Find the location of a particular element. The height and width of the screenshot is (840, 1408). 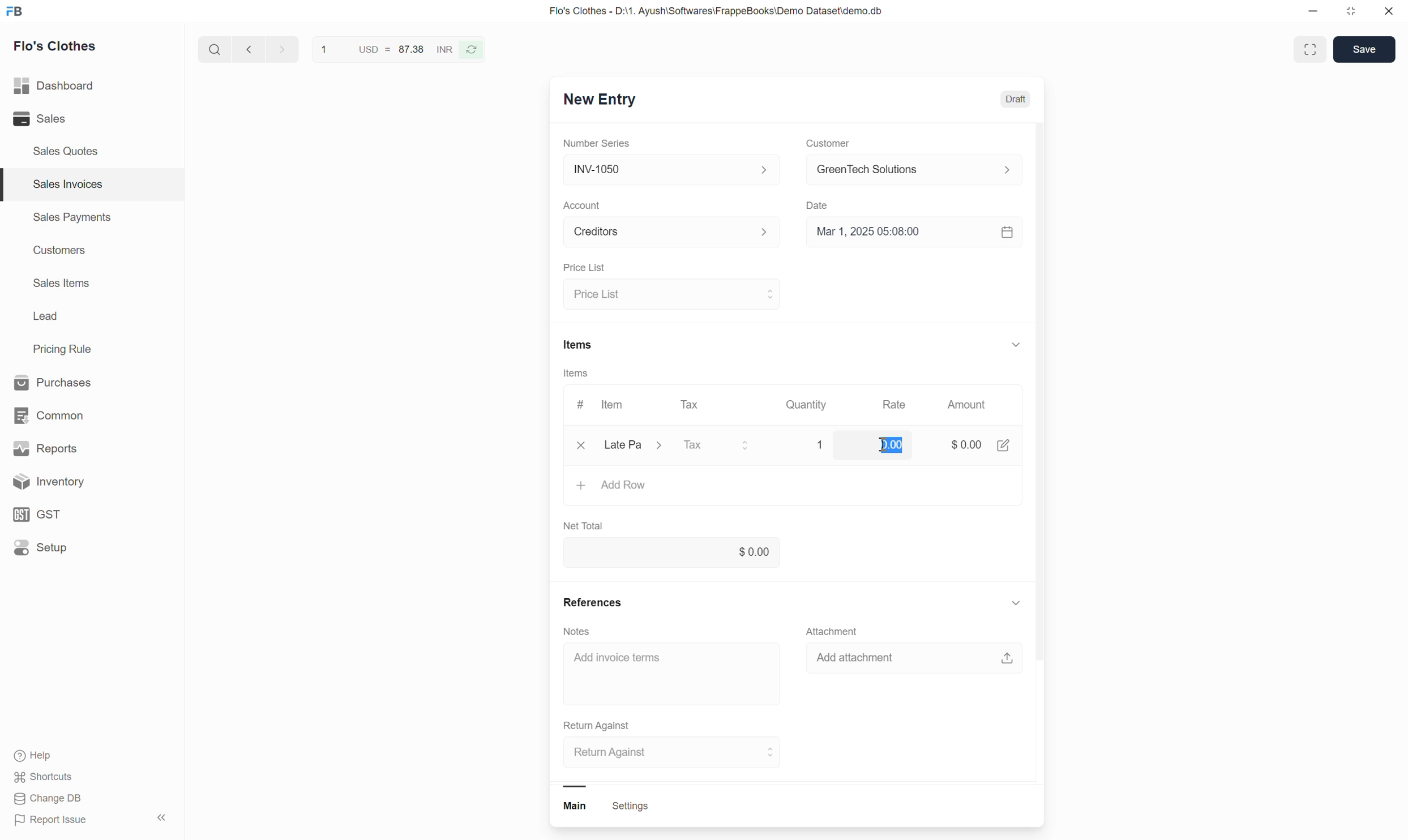

minimize  is located at coordinates (1318, 12).